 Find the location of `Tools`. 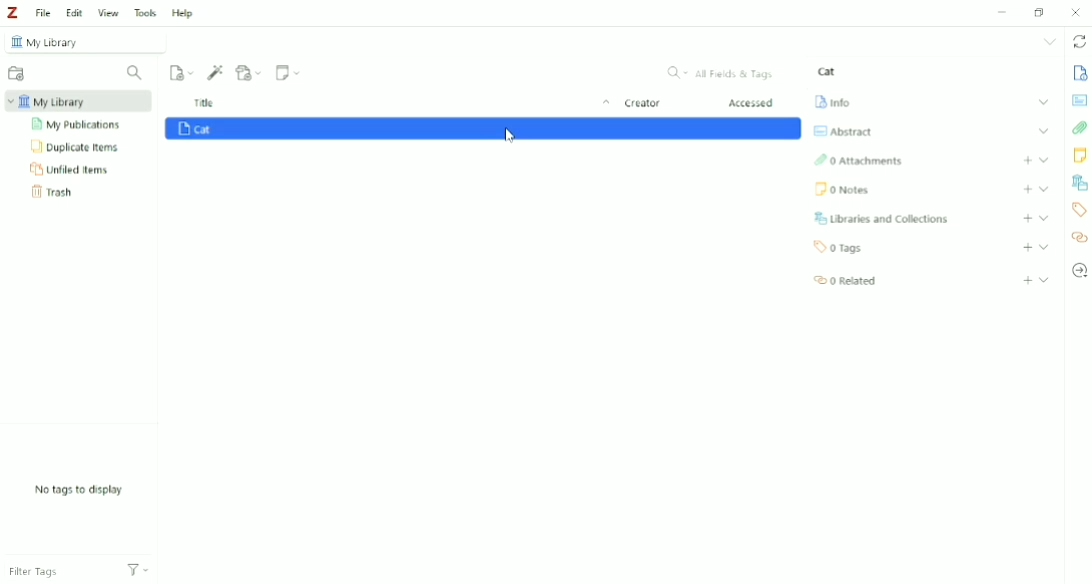

Tools is located at coordinates (145, 12).